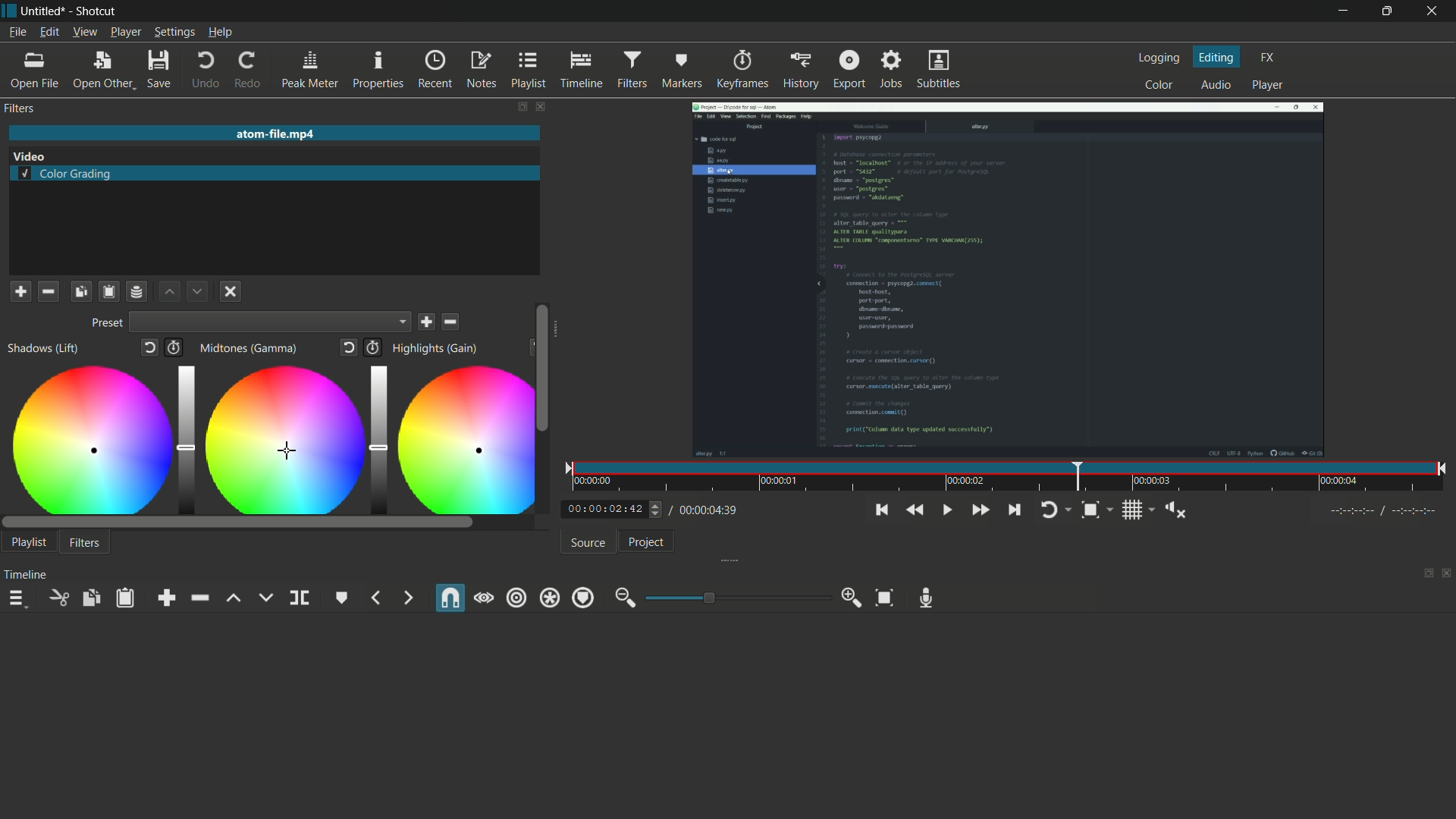 This screenshot has width=1456, height=819. I want to click on adjustment bar, so click(734, 598).